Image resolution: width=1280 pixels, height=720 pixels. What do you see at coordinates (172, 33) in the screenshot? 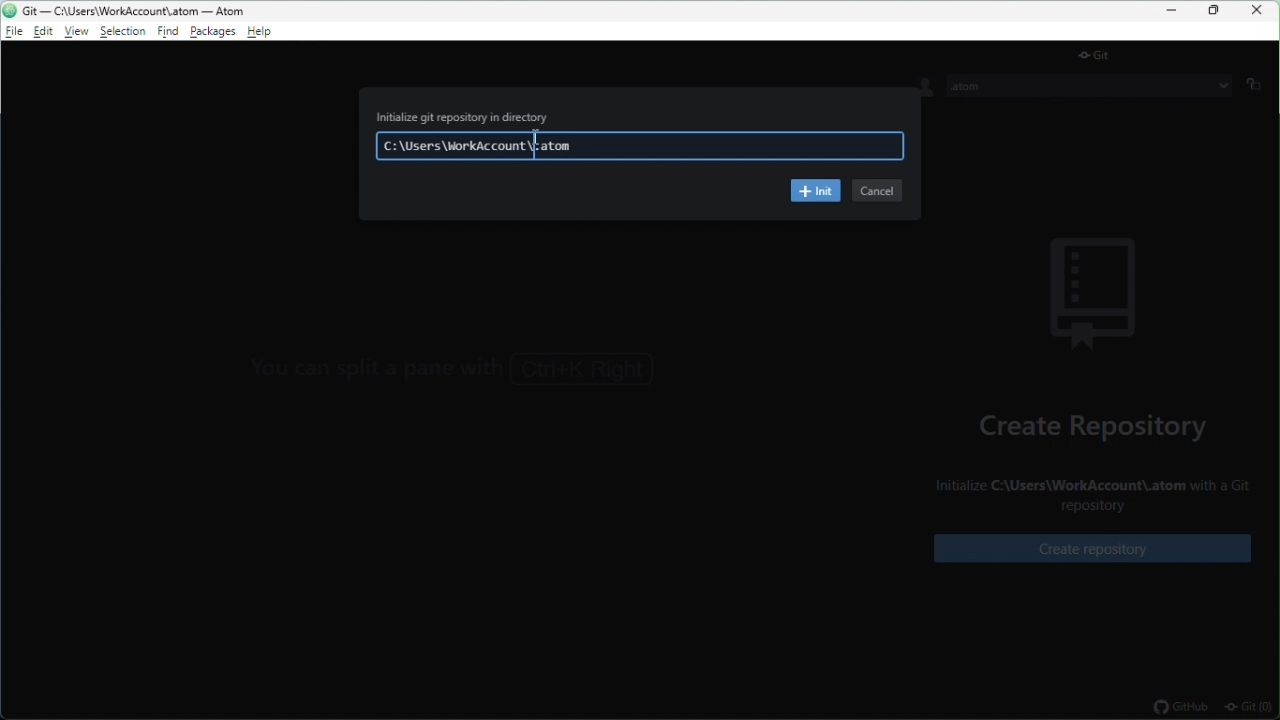
I see `find` at bounding box center [172, 33].